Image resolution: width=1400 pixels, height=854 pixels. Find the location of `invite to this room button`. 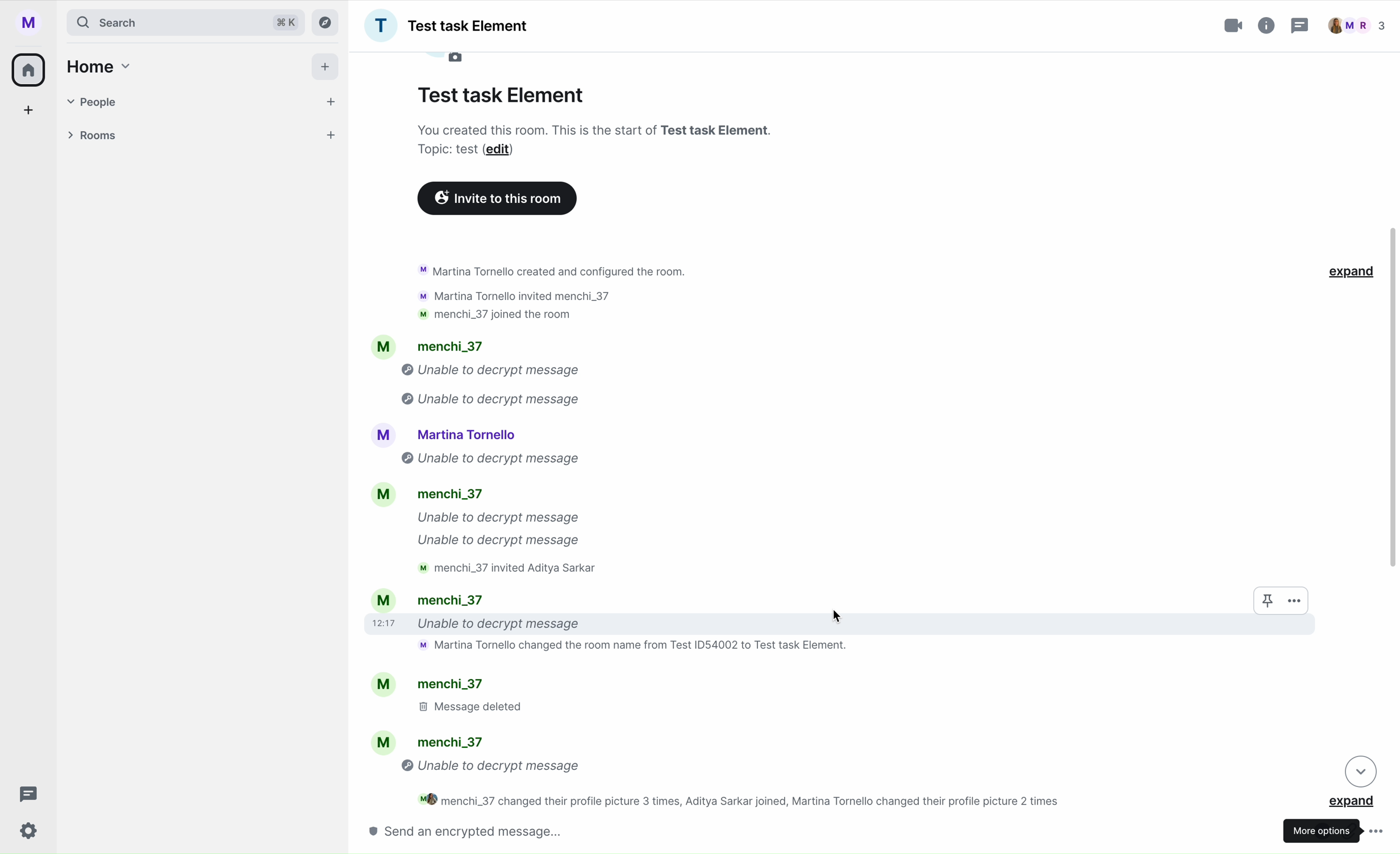

invite to this room button is located at coordinates (497, 199).